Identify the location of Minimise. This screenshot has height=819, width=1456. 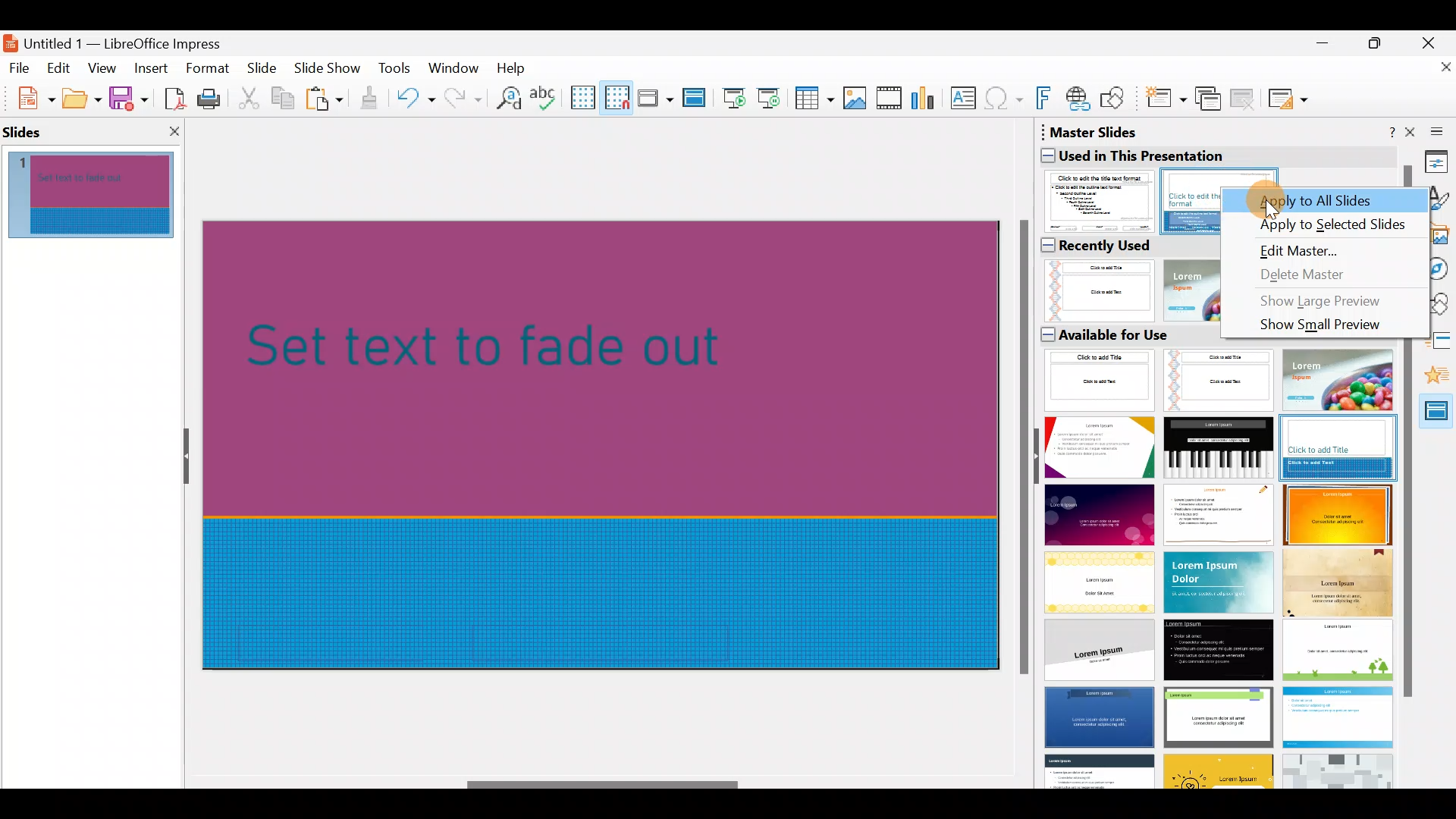
(1320, 50).